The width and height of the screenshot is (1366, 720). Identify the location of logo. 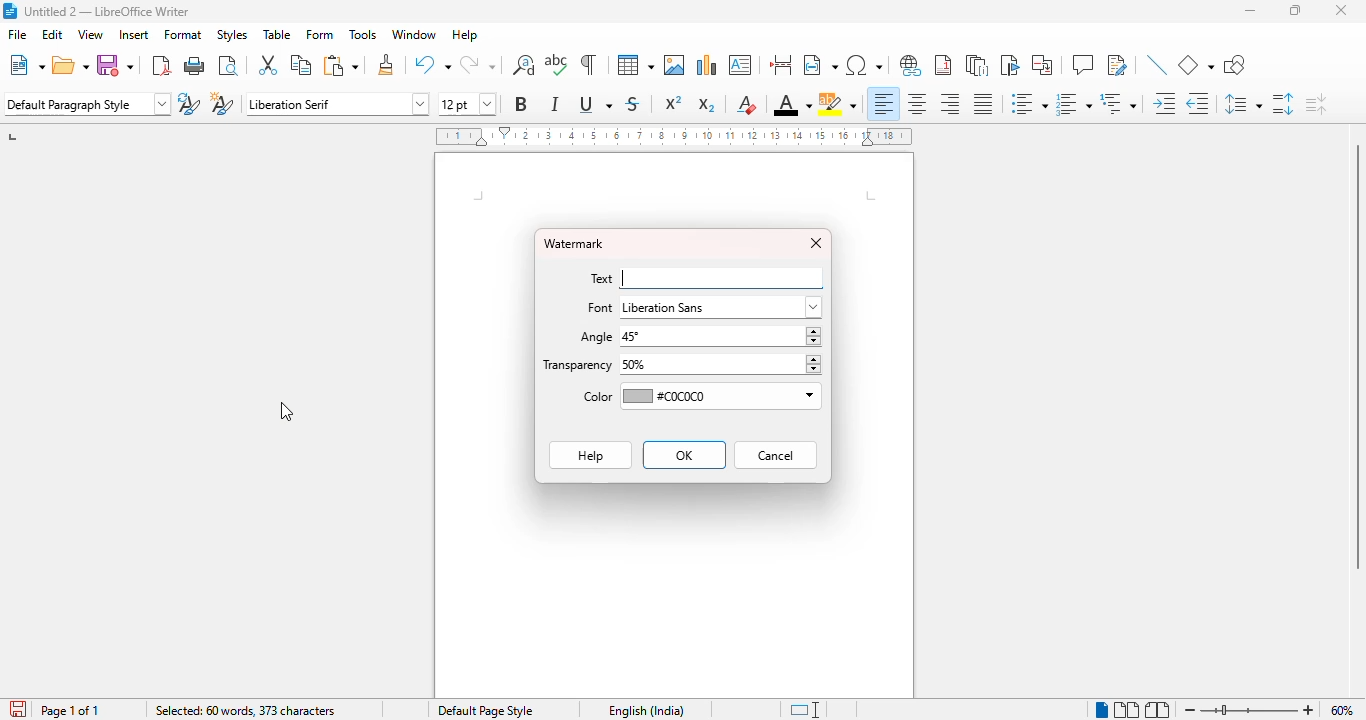
(9, 10).